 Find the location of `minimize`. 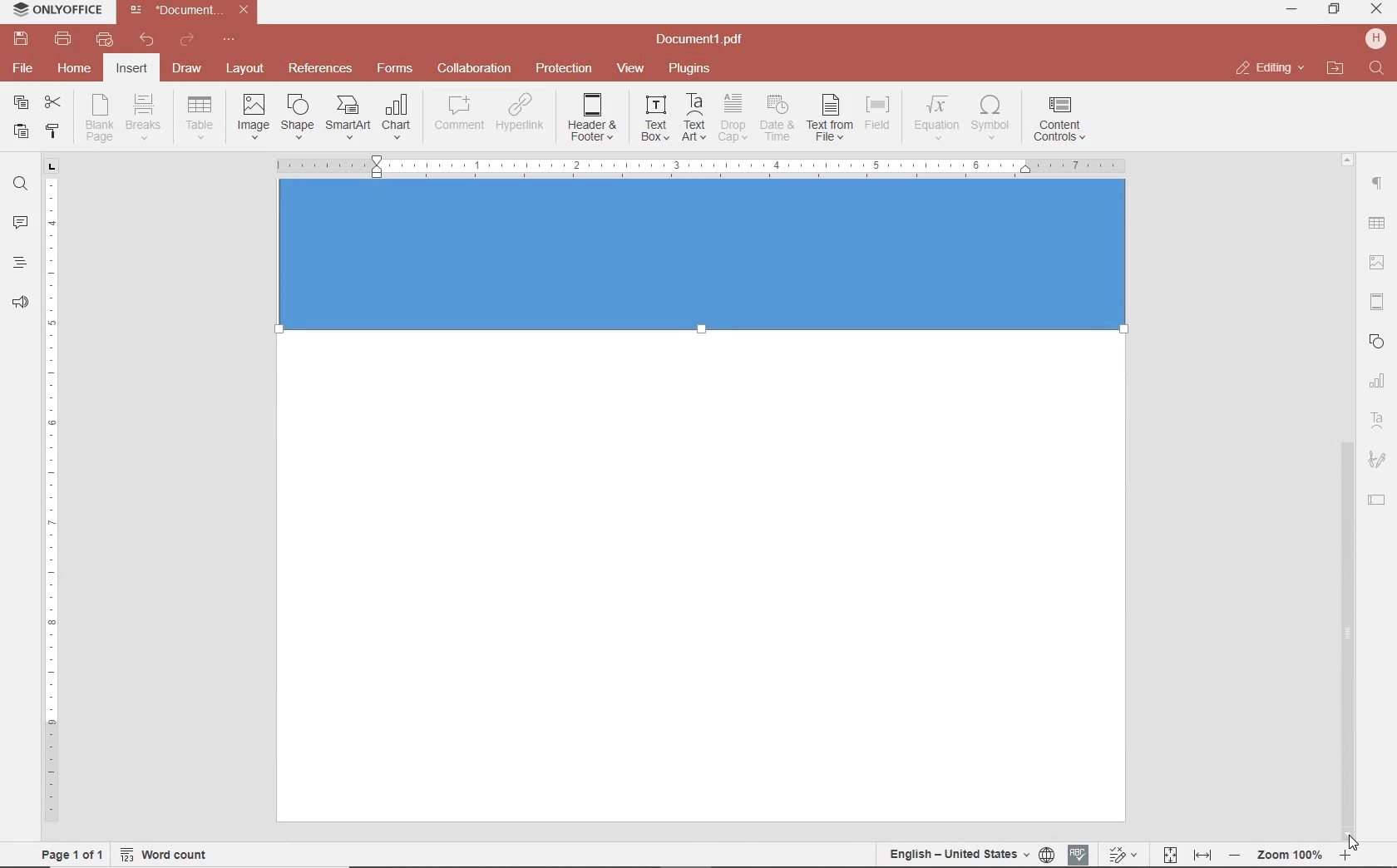

minimize is located at coordinates (1293, 9).